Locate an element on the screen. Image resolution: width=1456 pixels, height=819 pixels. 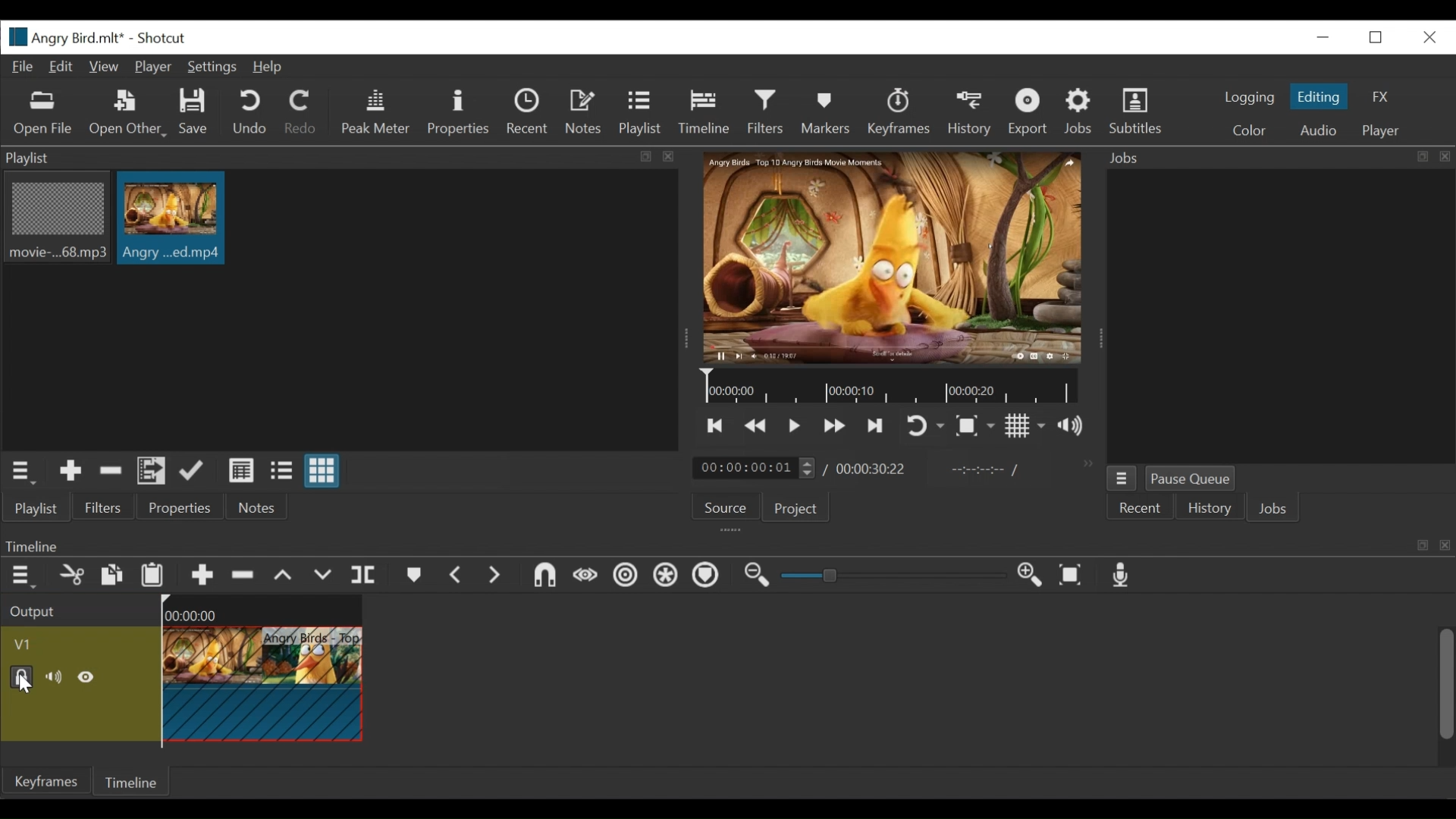
Zoom timeline in is located at coordinates (1032, 576).